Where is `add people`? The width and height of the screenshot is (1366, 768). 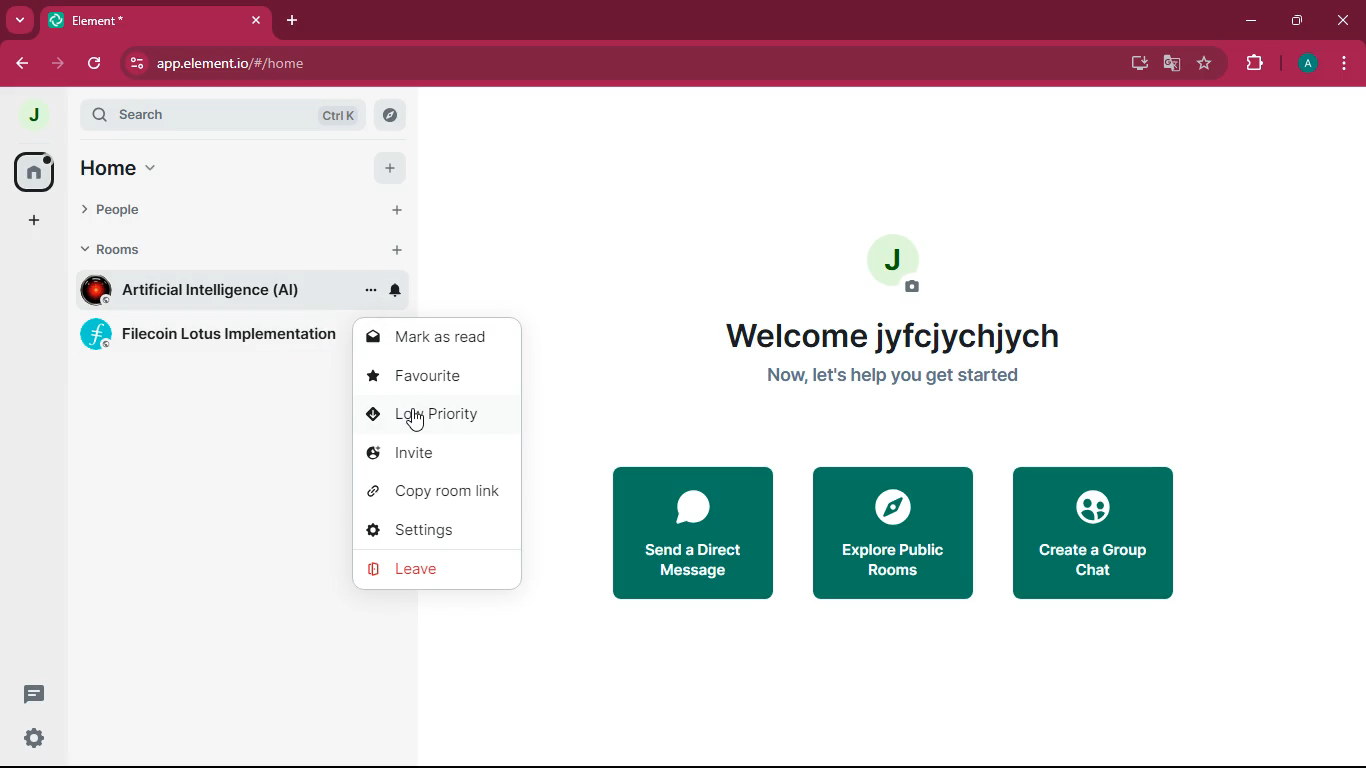 add people is located at coordinates (398, 211).